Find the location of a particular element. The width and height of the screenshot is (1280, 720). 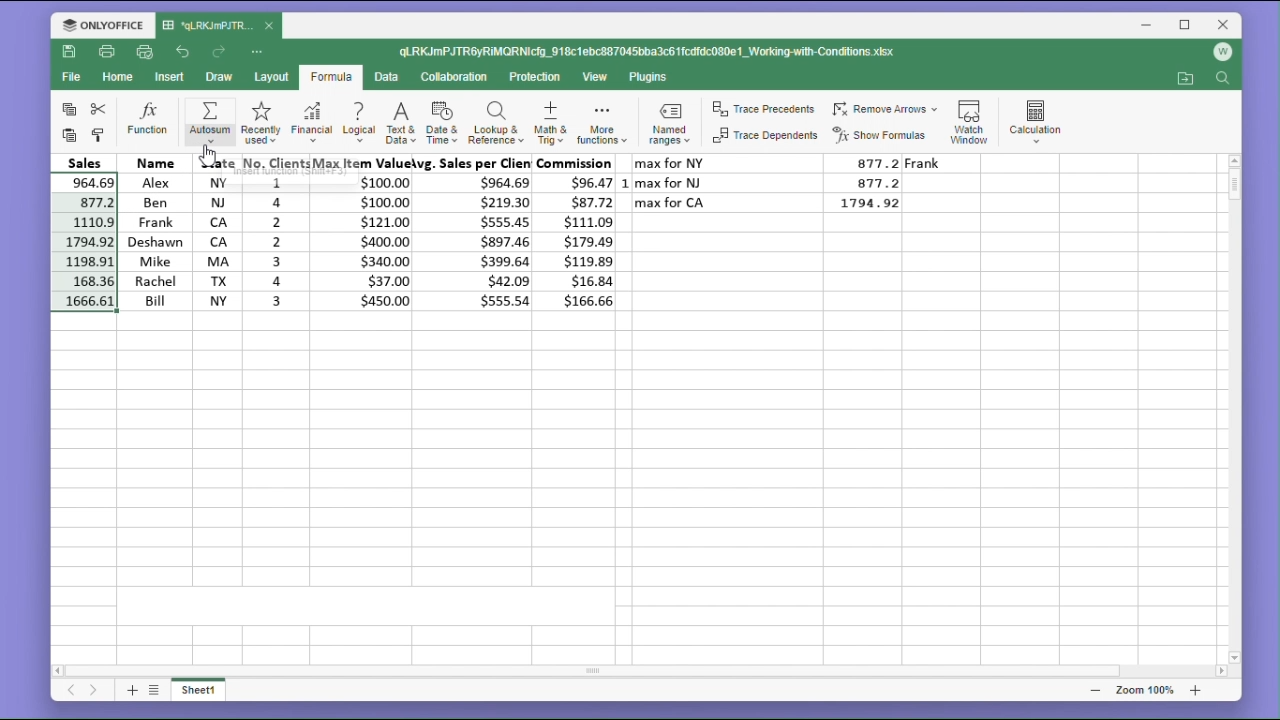

layout is located at coordinates (270, 78).